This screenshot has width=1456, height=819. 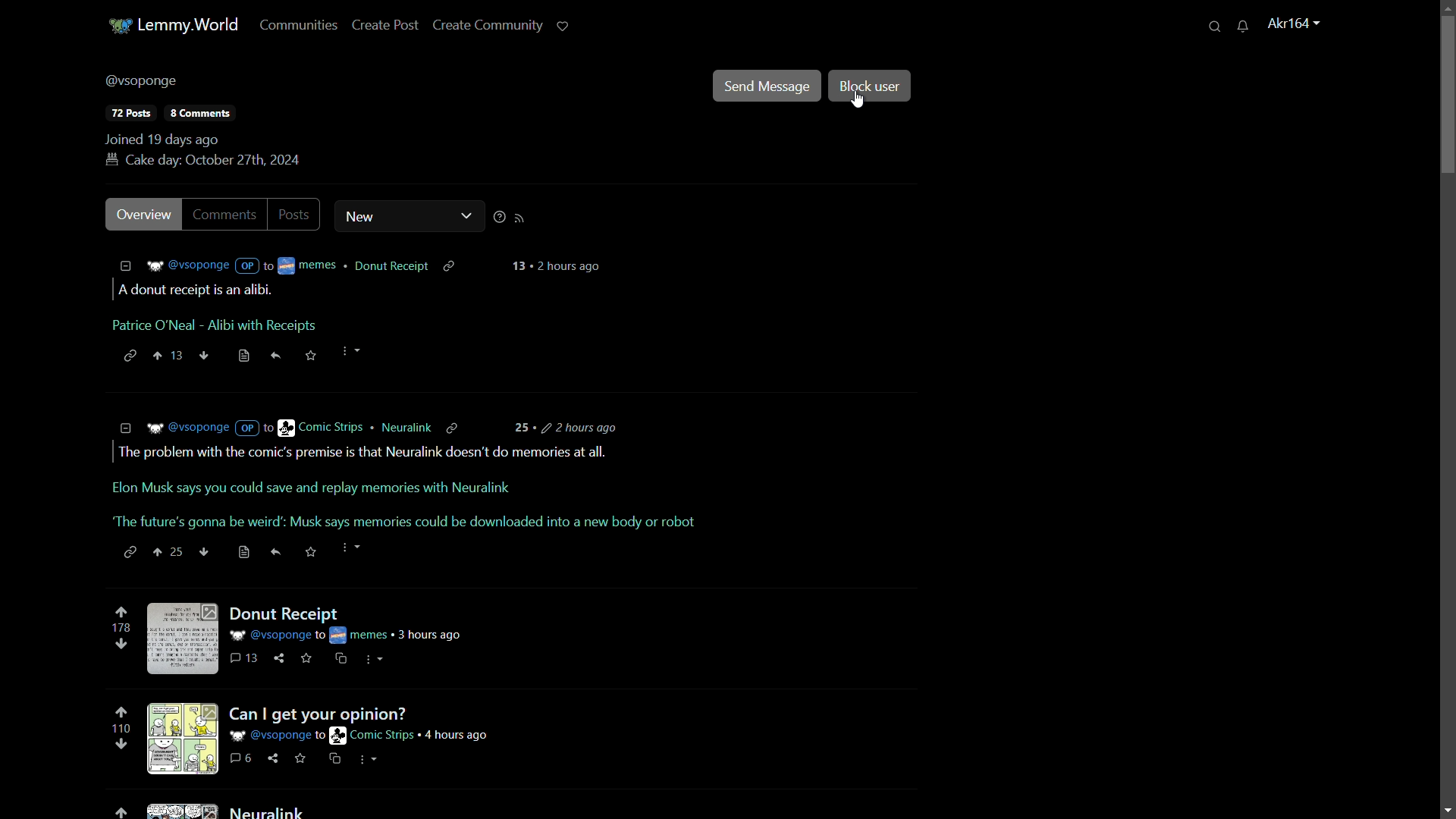 I want to click on comment-2, so click(x=406, y=488).